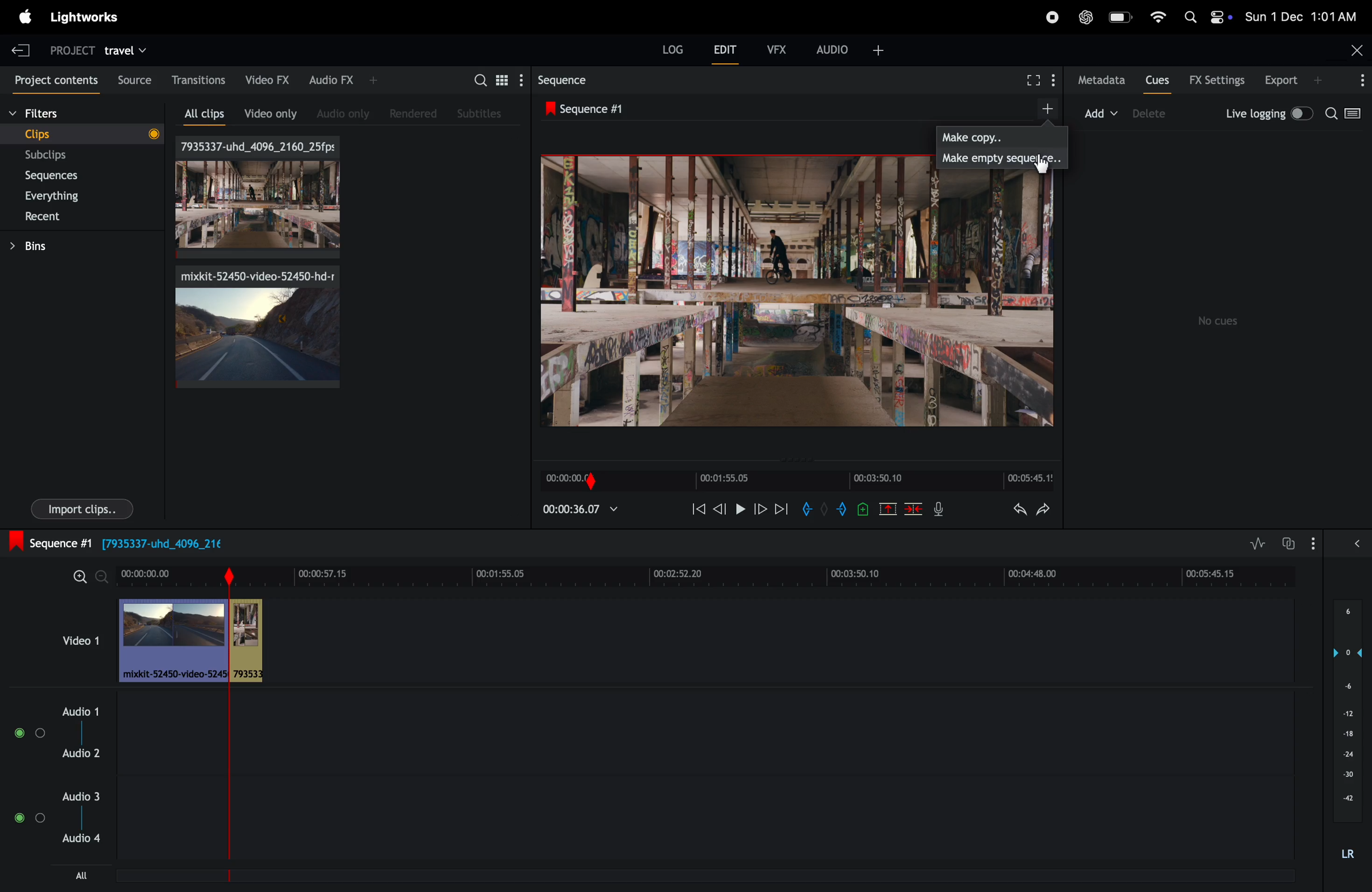  What do you see at coordinates (82, 875) in the screenshot?
I see `all` at bounding box center [82, 875].